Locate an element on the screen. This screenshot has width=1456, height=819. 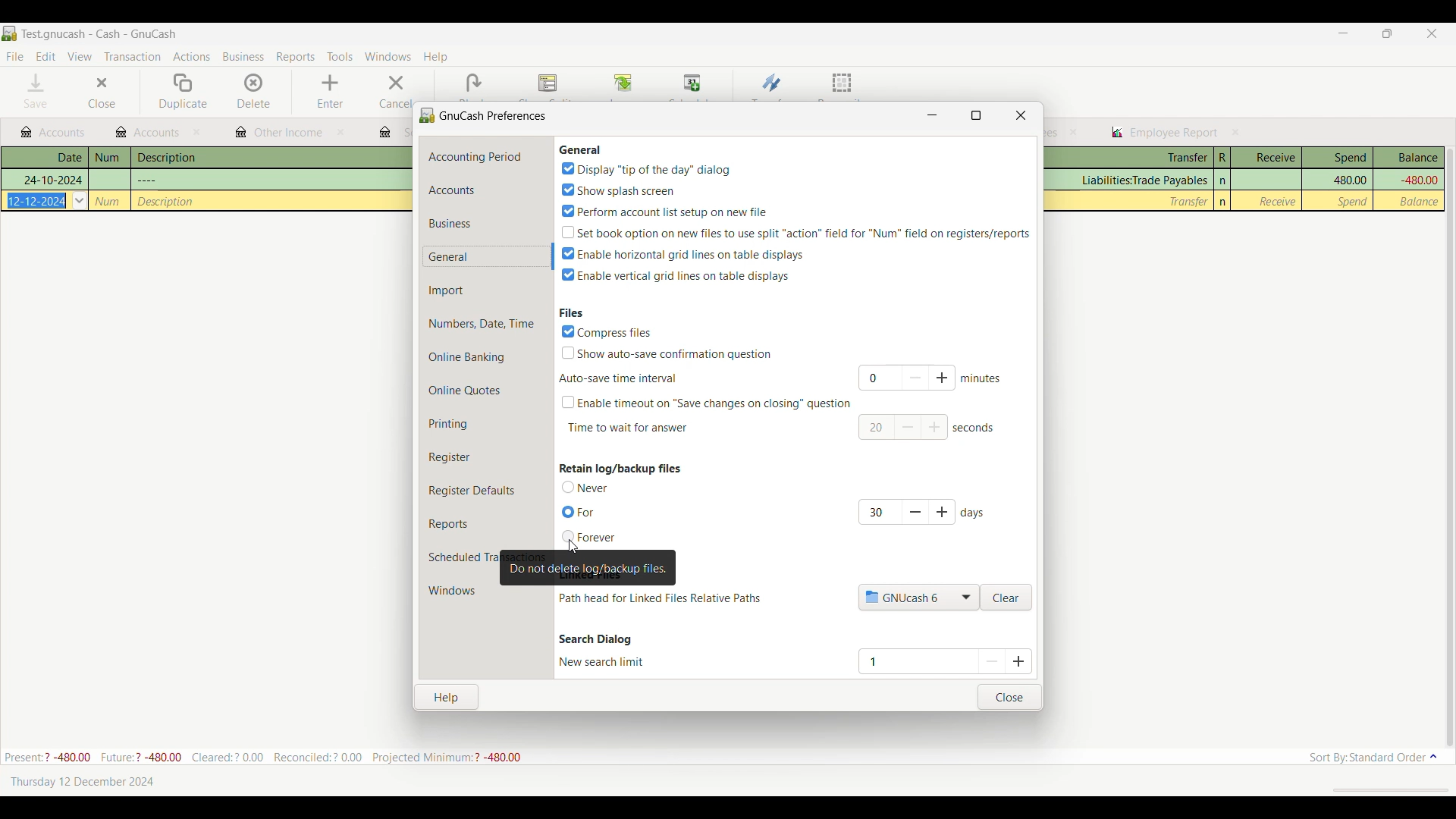
add is located at coordinates (944, 378).